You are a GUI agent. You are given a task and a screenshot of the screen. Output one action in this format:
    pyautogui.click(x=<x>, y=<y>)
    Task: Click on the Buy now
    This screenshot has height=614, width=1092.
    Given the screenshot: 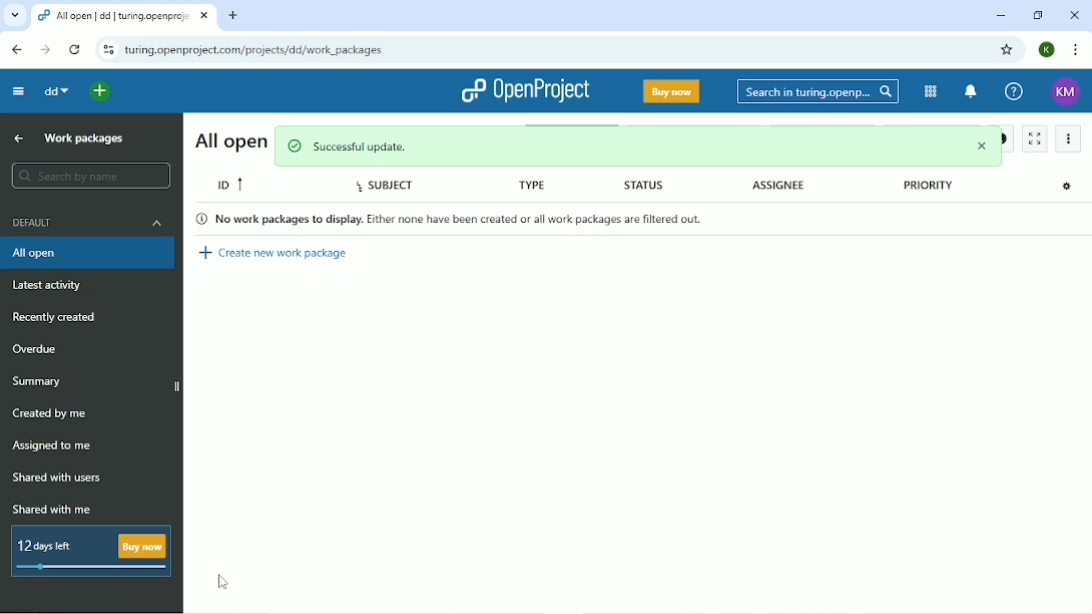 What is the action you would take?
    pyautogui.click(x=672, y=91)
    